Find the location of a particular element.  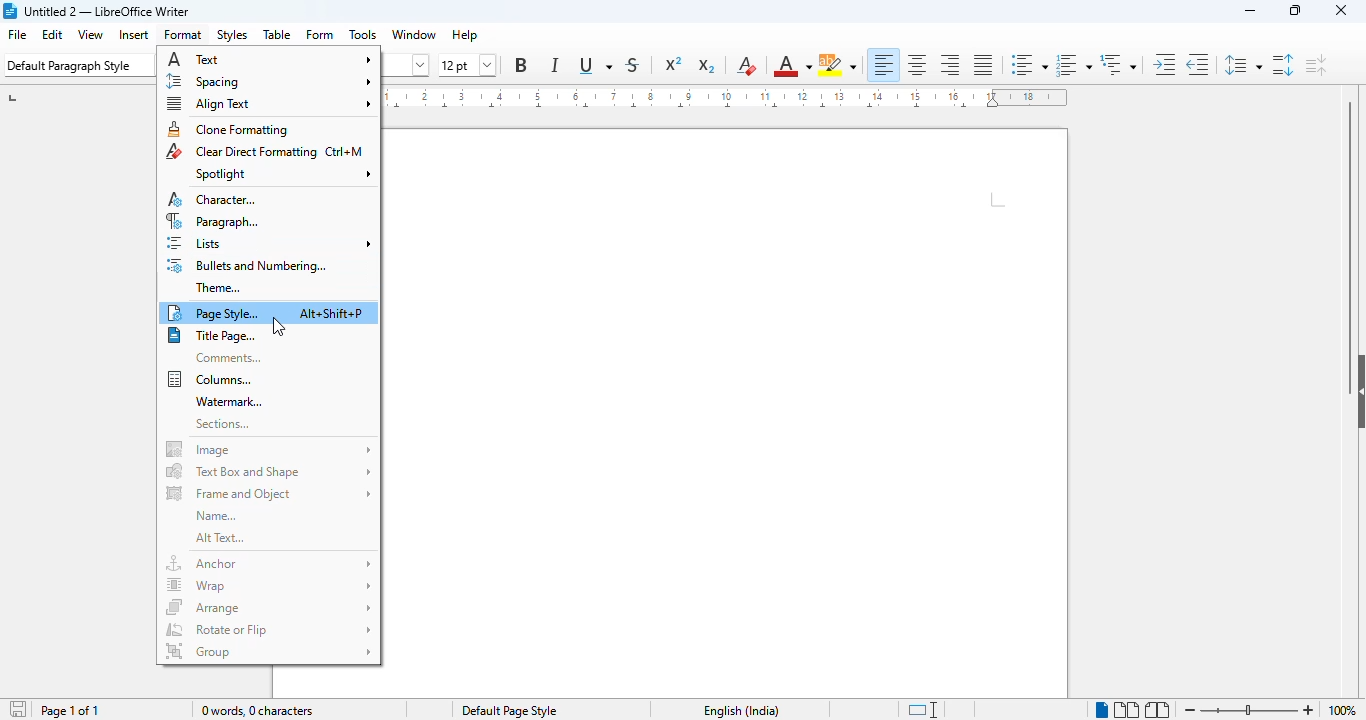

underline is located at coordinates (596, 67).